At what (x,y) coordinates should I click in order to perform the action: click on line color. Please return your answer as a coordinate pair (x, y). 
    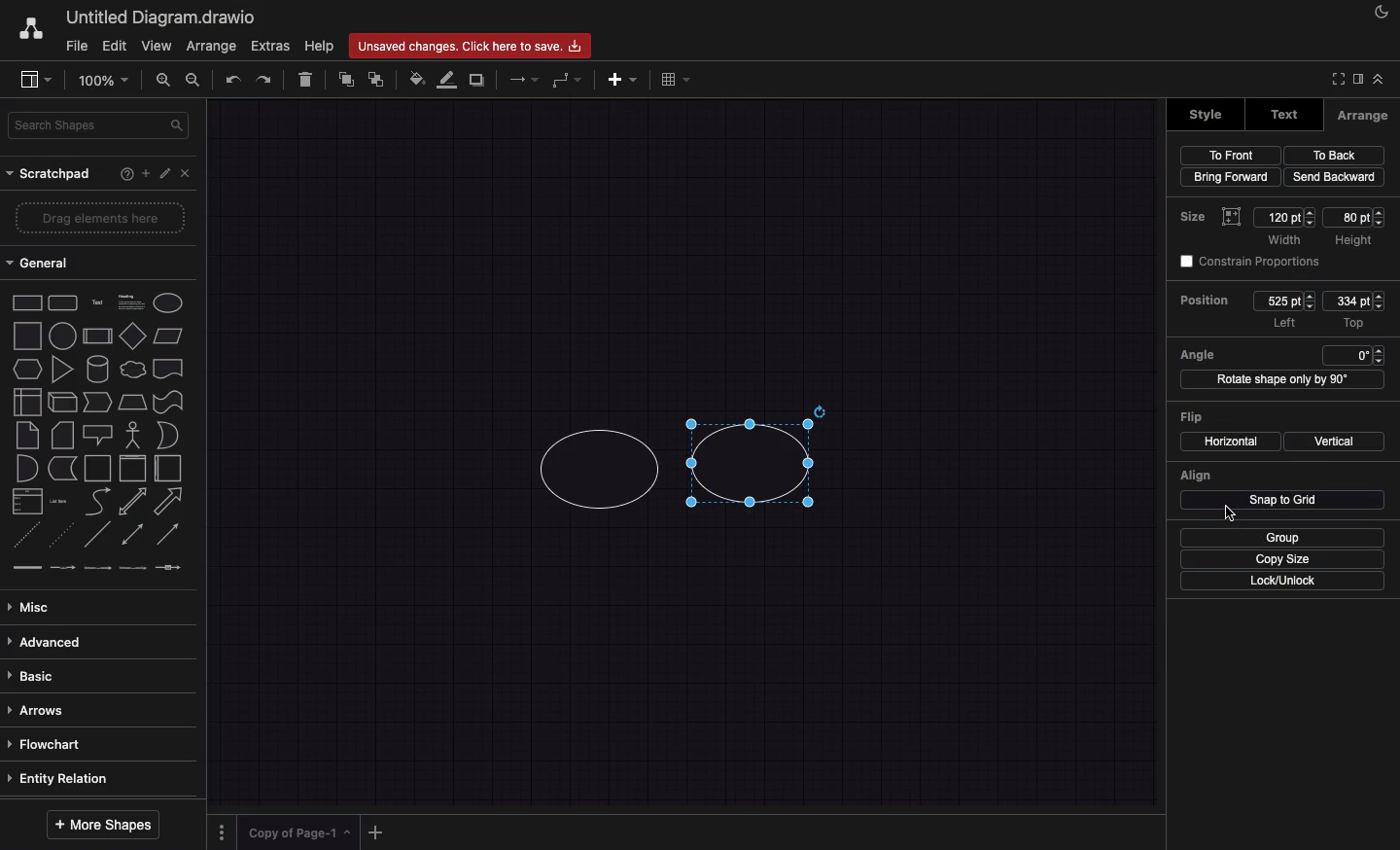
    Looking at the image, I should click on (445, 79).